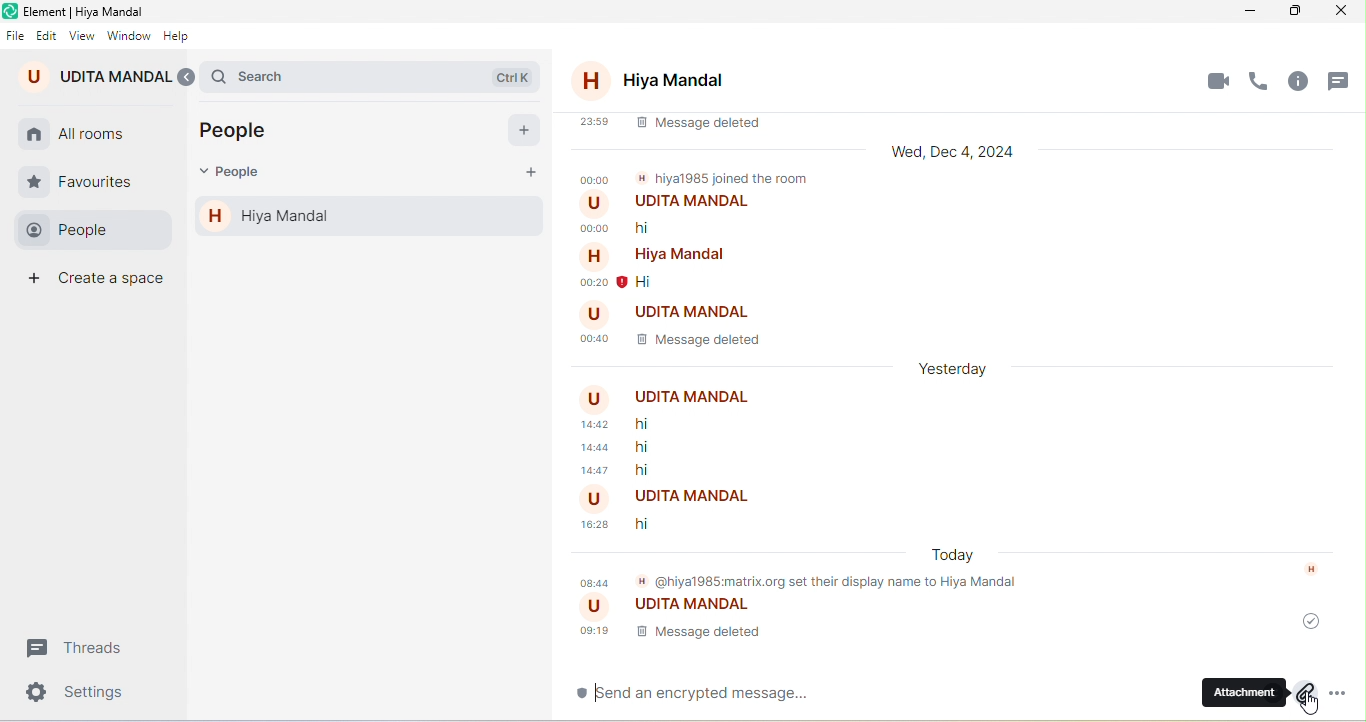  I want to click on udita mandal, so click(96, 75).